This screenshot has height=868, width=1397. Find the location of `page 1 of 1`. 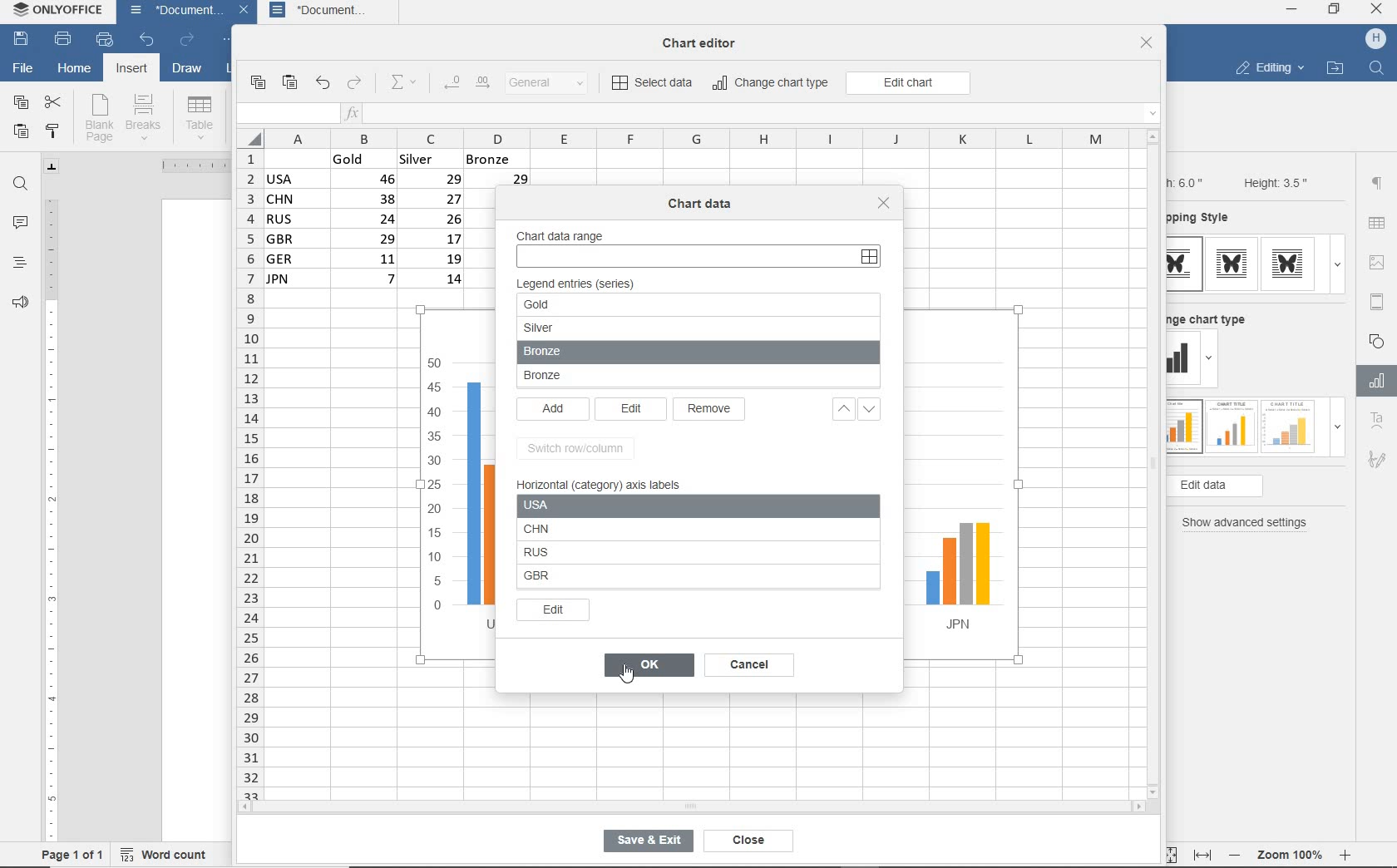

page 1 of 1 is located at coordinates (73, 854).